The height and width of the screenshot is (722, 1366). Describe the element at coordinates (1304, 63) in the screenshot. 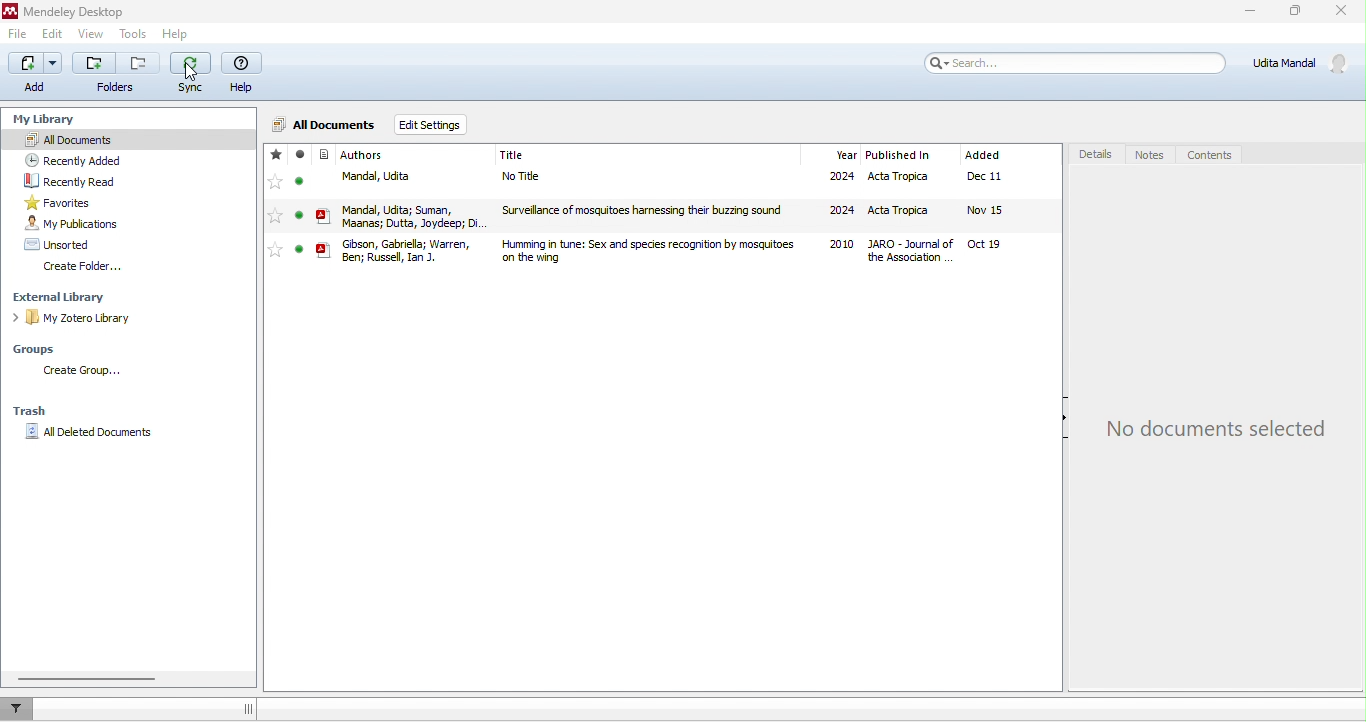

I see `account` at that location.